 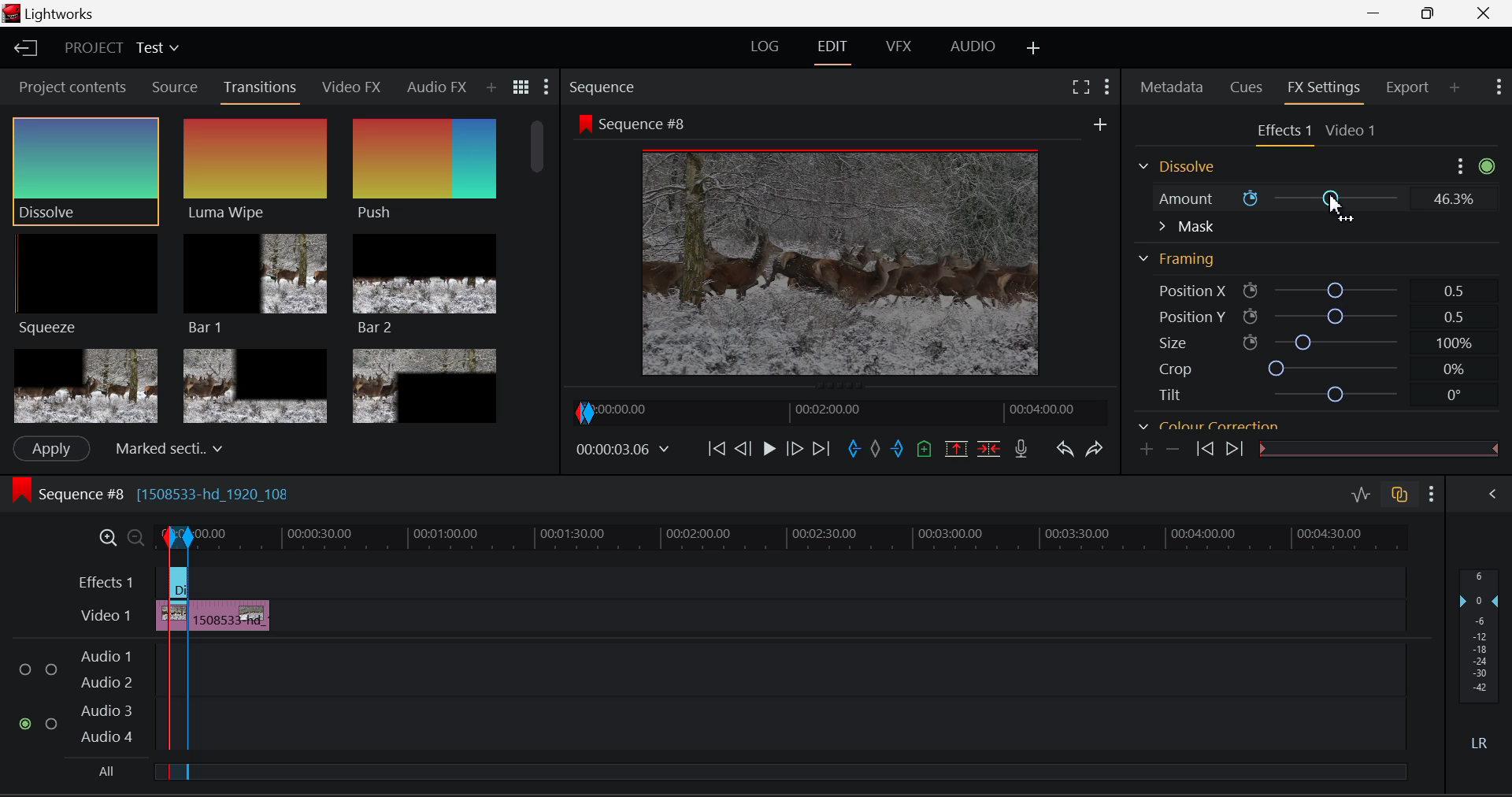 I want to click on Audio FX, so click(x=437, y=87).